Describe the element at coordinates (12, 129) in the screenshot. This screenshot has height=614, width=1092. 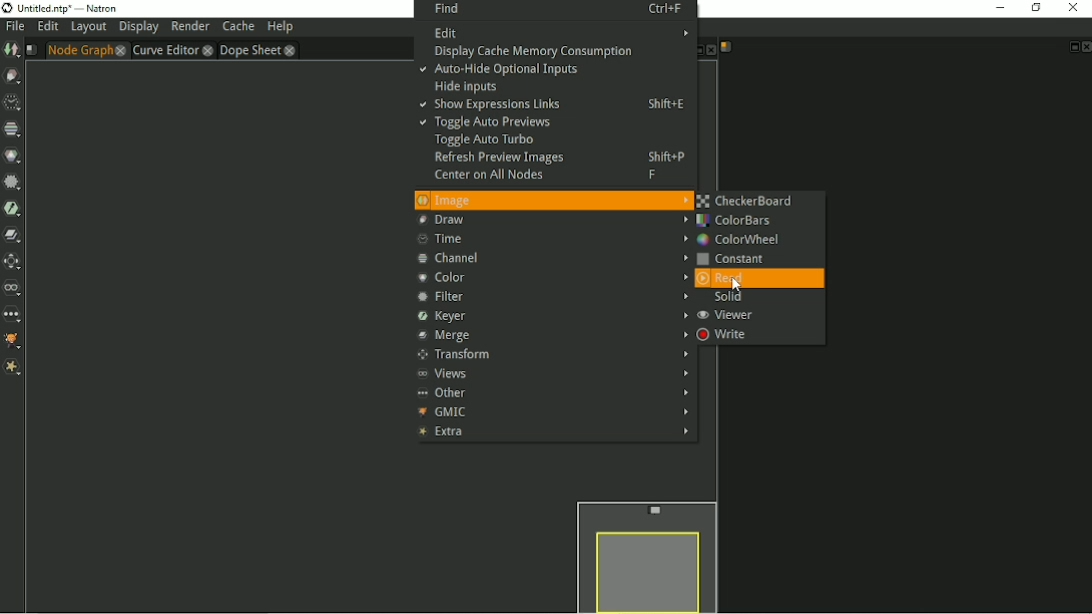
I see `Channel` at that location.